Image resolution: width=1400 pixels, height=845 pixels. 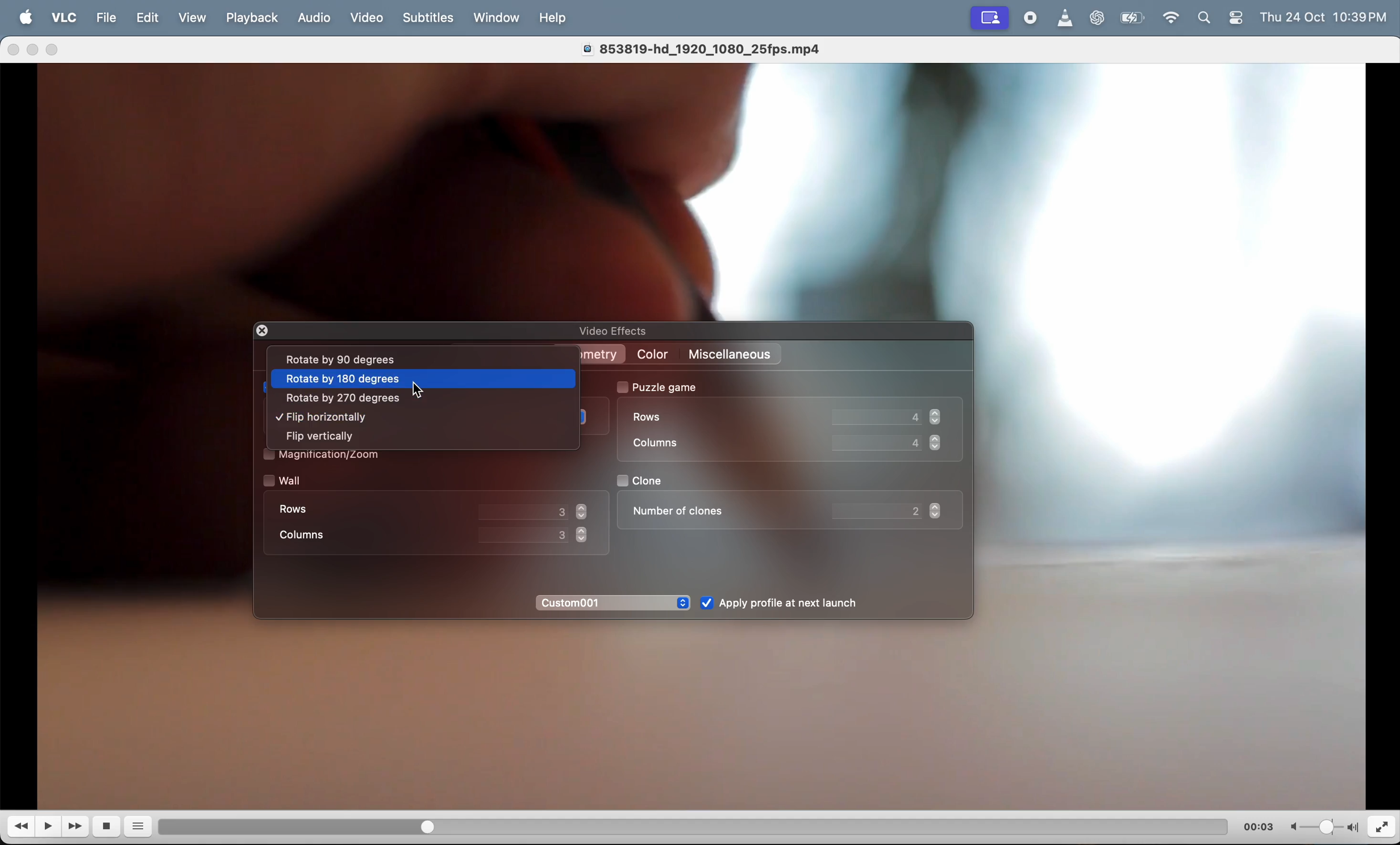 What do you see at coordinates (615, 603) in the screenshot?
I see `custom 01` at bounding box center [615, 603].